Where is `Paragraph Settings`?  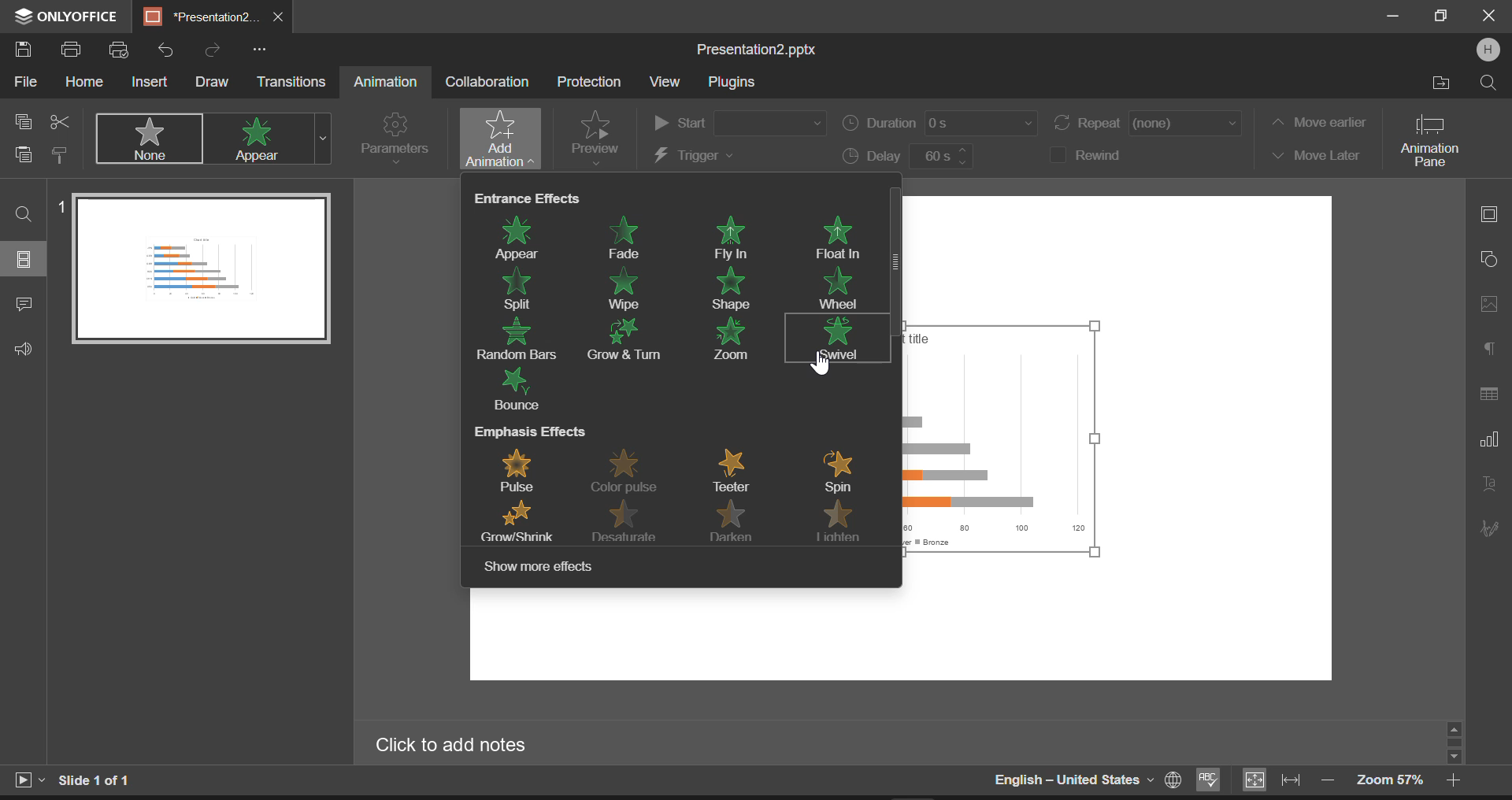 Paragraph Settings is located at coordinates (1489, 345).